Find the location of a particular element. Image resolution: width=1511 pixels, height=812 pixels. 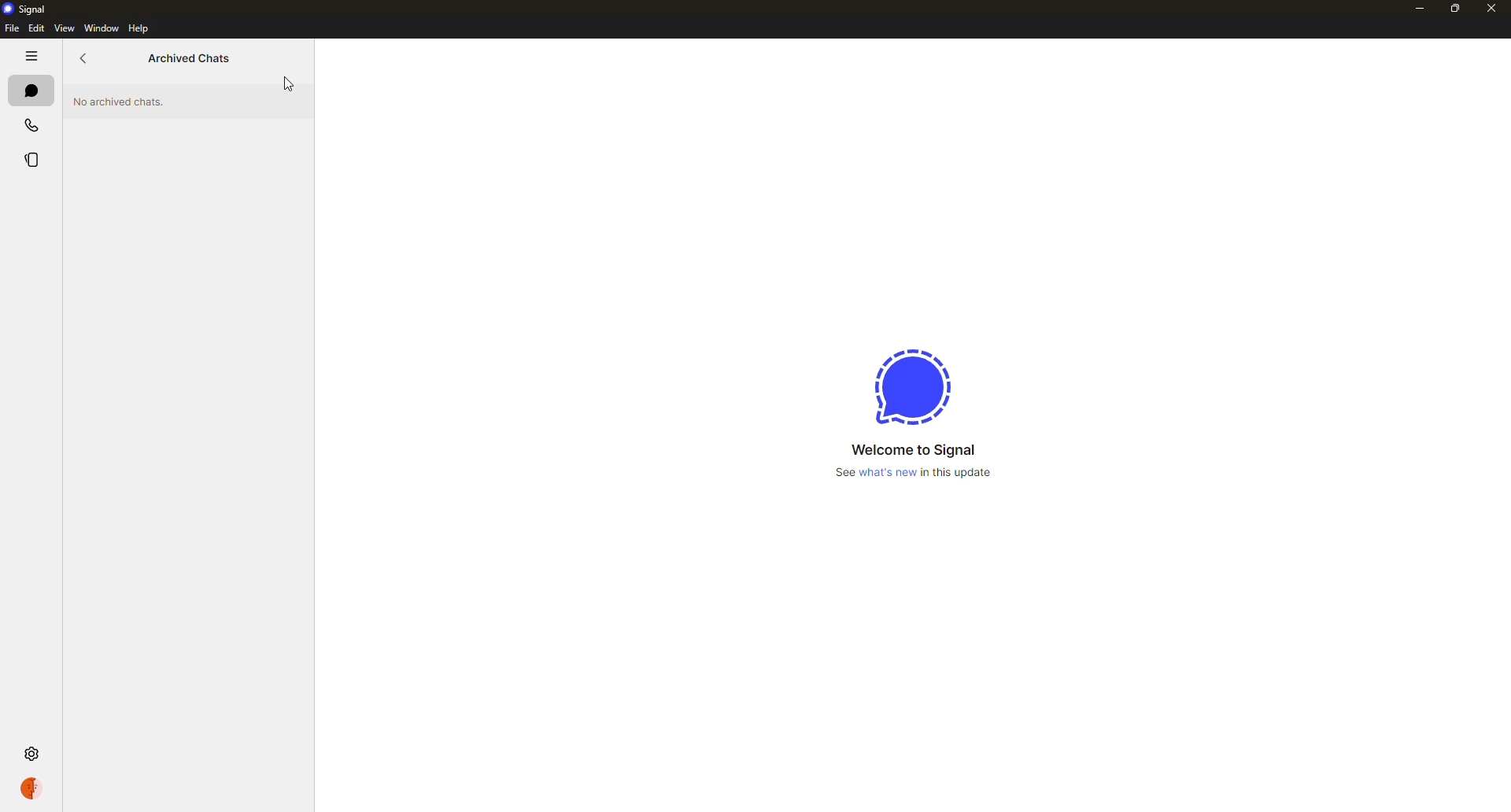

profile is located at coordinates (31, 788).